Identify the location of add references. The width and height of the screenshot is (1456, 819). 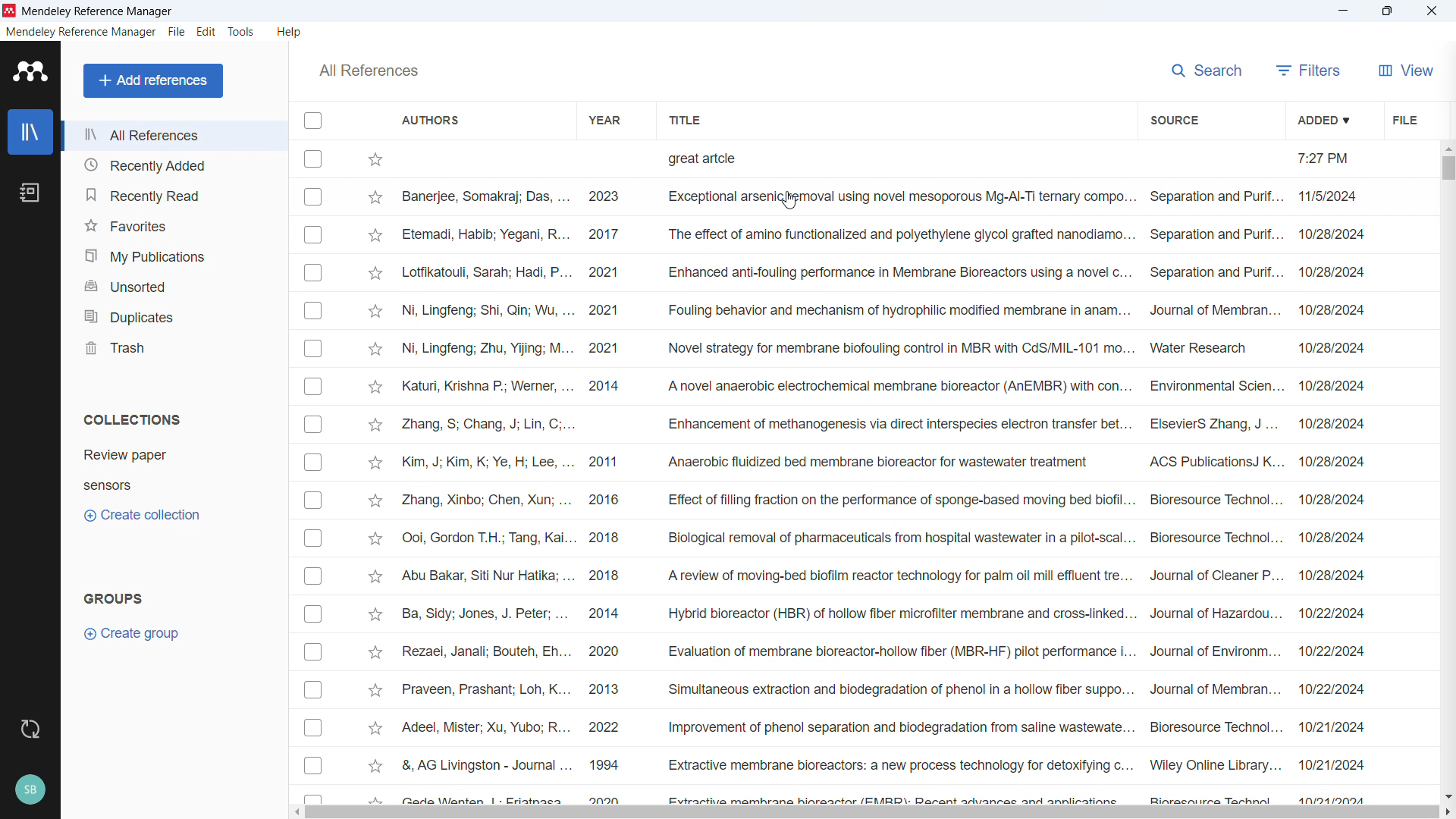
(152, 80).